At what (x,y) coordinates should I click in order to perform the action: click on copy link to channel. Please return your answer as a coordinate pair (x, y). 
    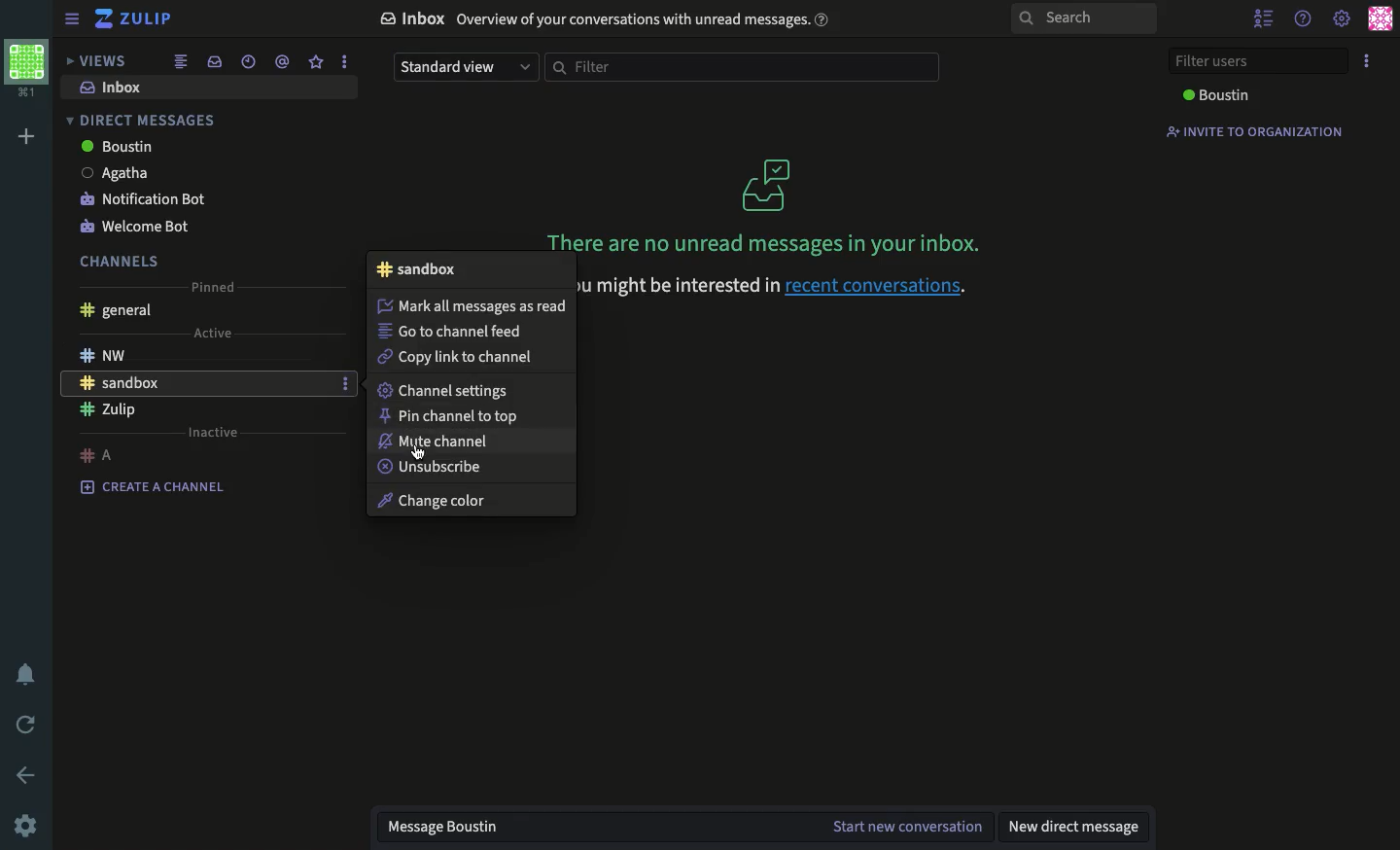
    Looking at the image, I should click on (461, 358).